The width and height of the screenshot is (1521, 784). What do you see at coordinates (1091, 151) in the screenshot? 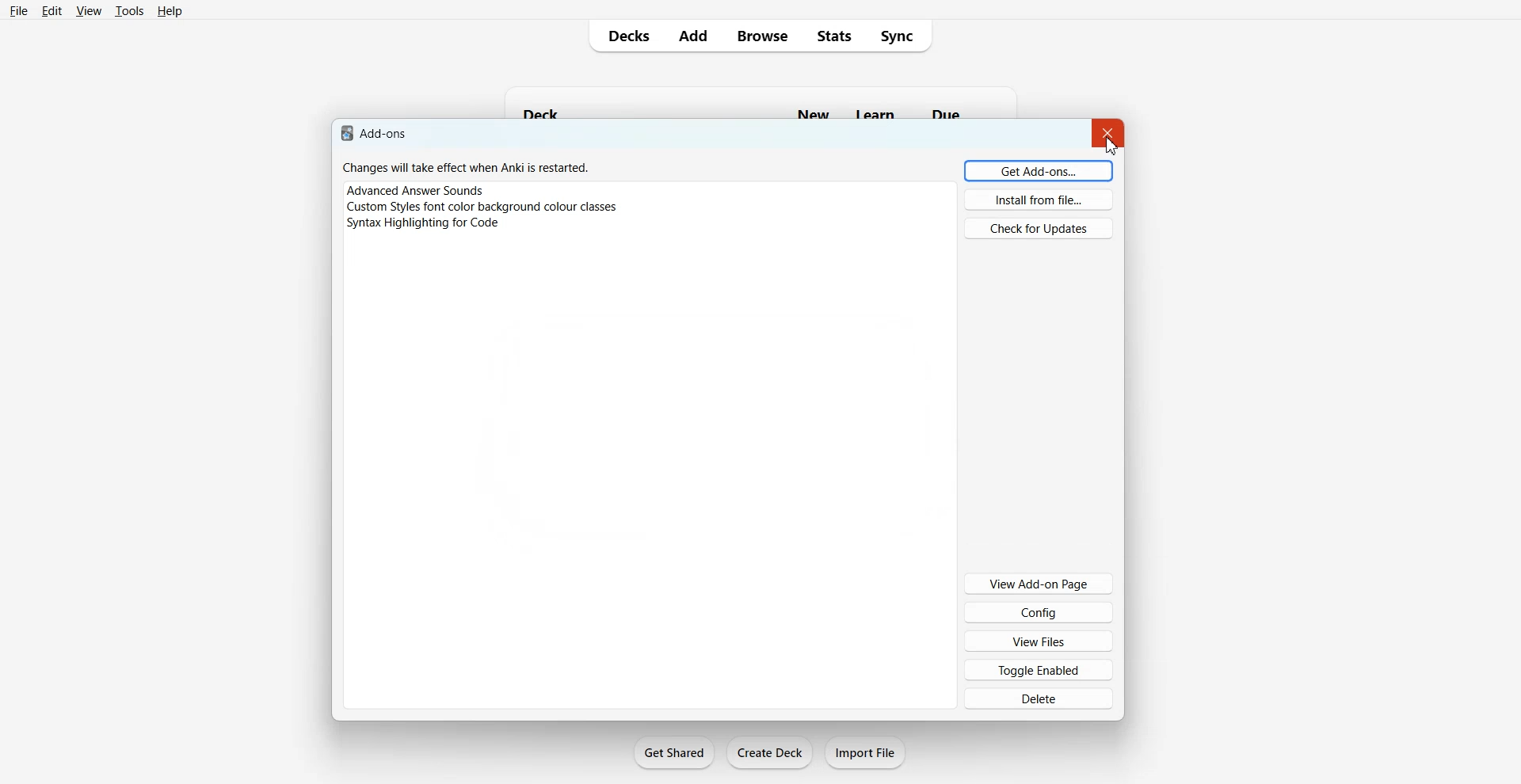
I see `cursor` at bounding box center [1091, 151].